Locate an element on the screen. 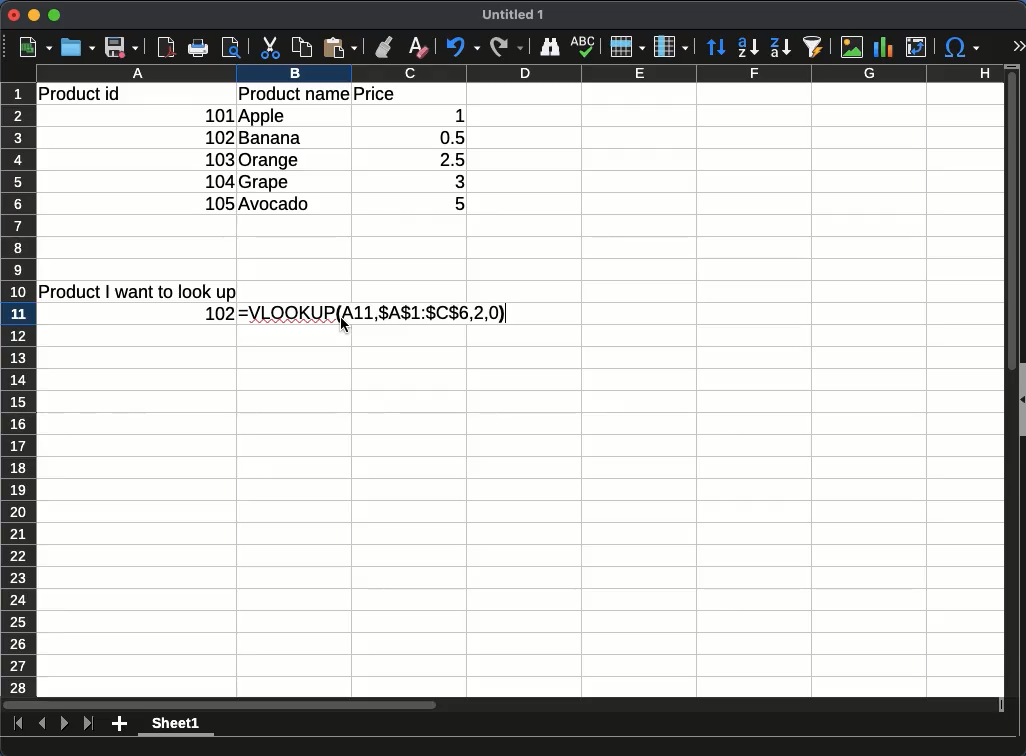 The width and height of the screenshot is (1026, 756). new is located at coordinates (35, 48).